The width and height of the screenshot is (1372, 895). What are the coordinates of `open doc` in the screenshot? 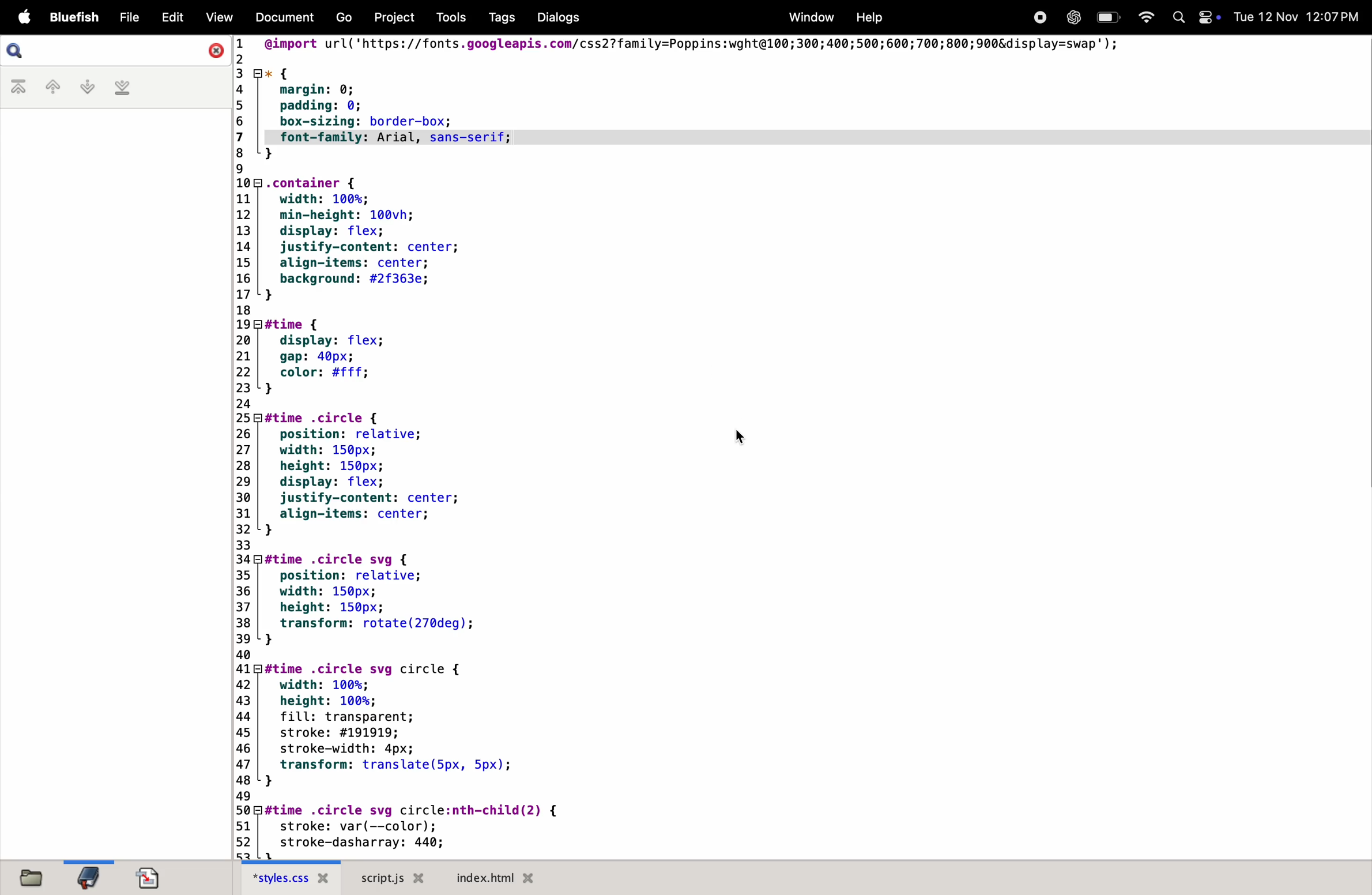 It's located at (149, 875).